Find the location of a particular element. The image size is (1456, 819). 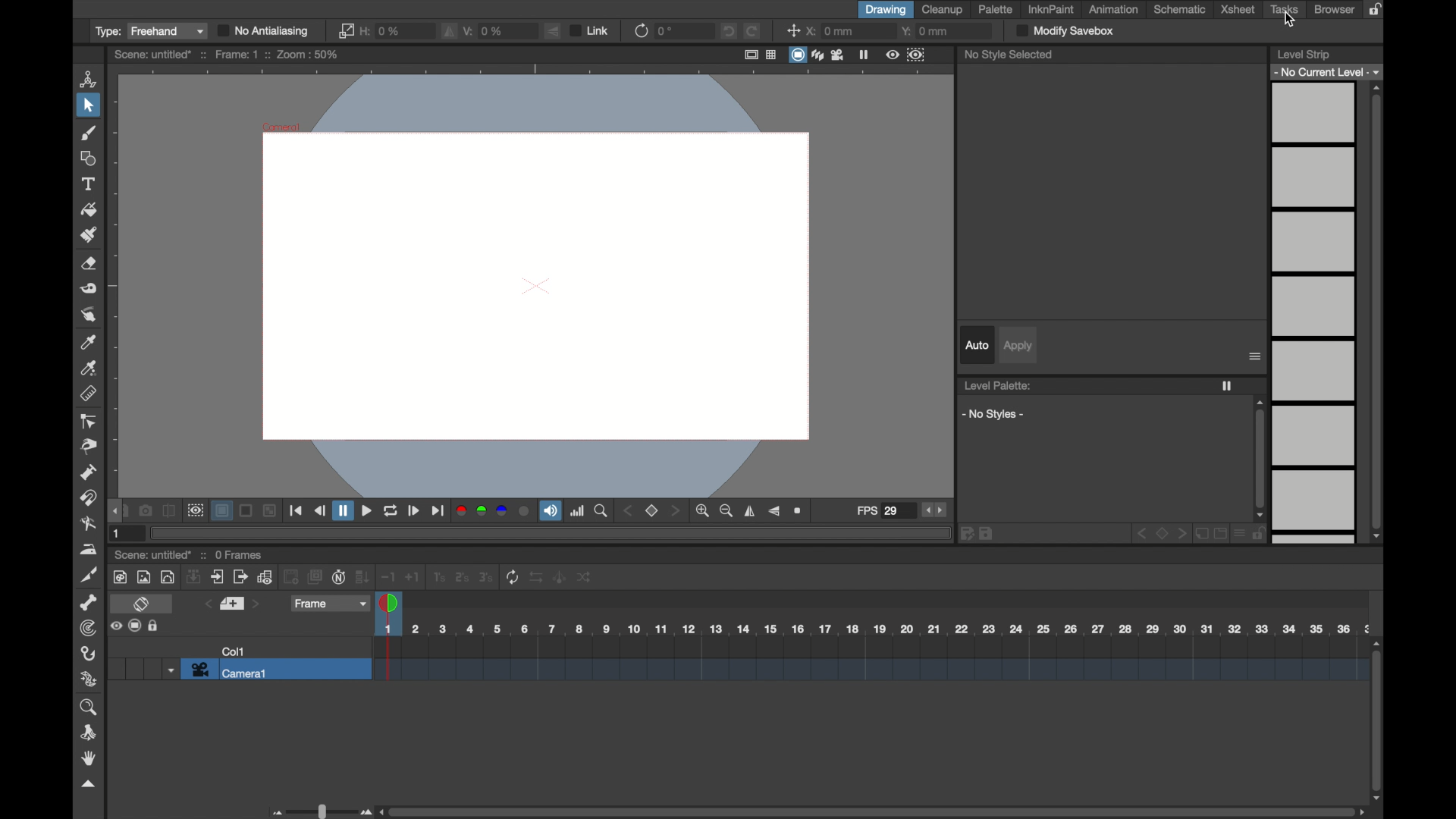

zoom is located at coordinates (90, 708).